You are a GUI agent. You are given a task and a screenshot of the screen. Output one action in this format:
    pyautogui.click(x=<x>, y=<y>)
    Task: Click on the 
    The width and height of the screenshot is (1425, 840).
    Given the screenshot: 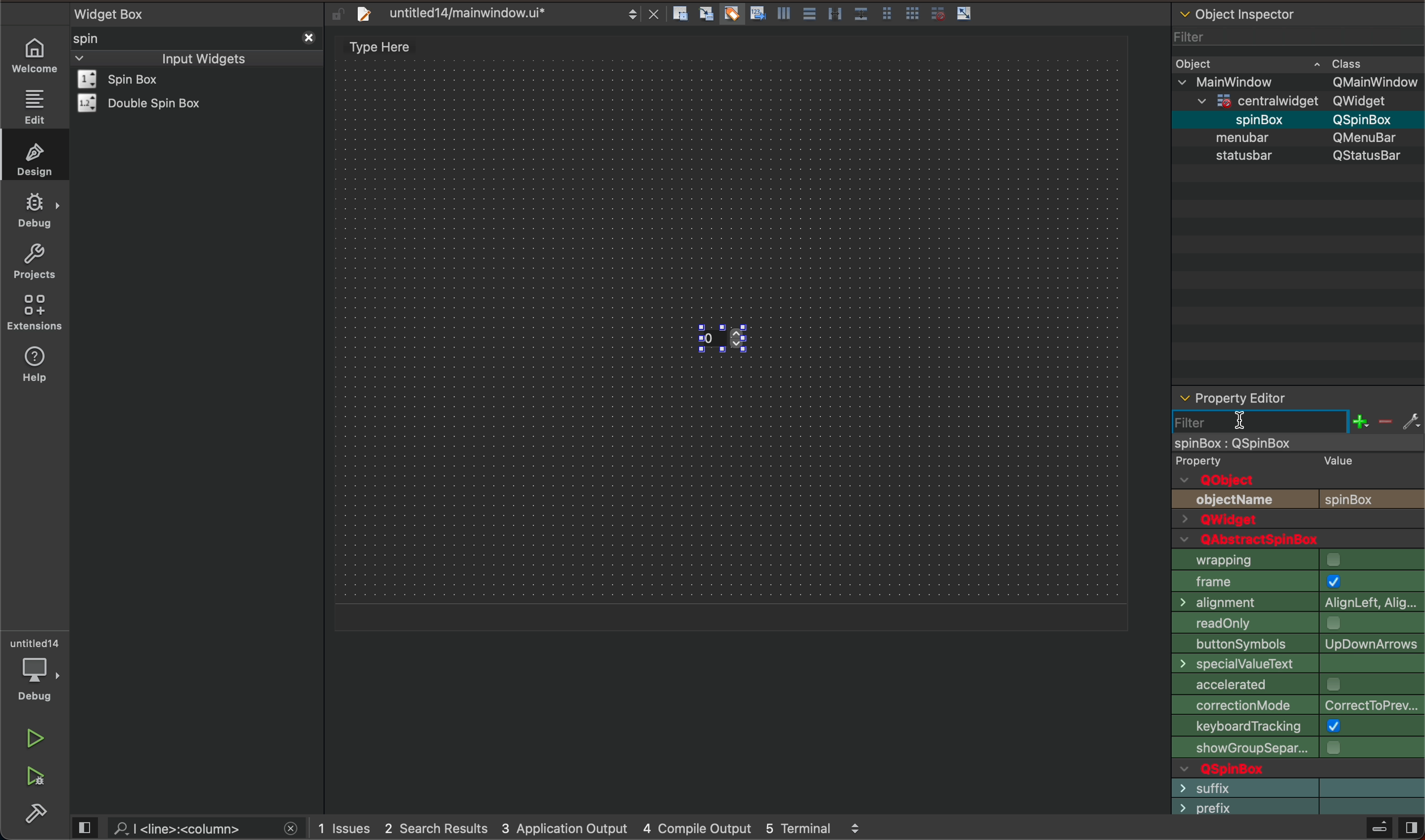 What is the action you would take?
    pyautogui.click(x=1265, y=98)
    